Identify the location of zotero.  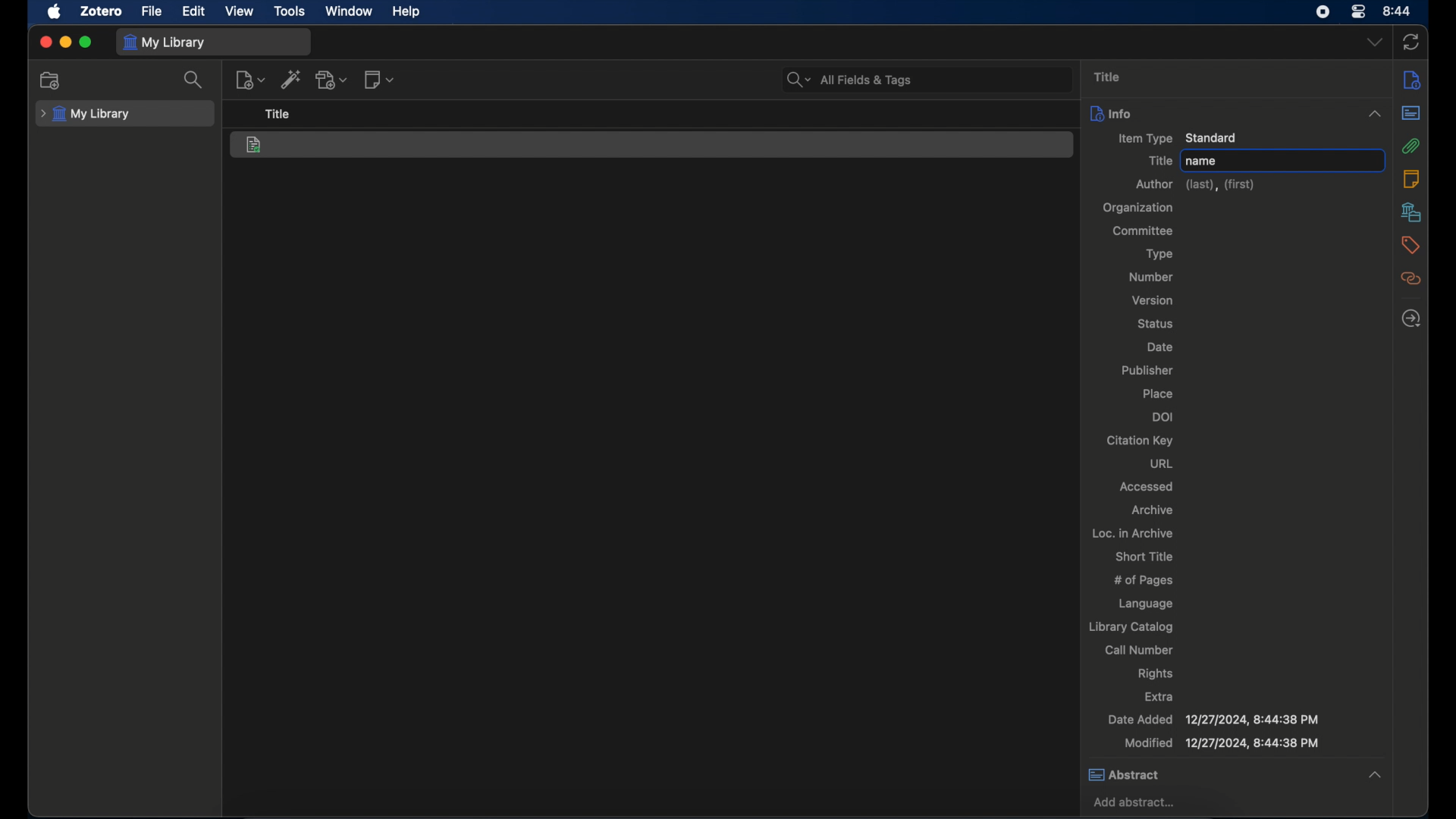
(102, 12).